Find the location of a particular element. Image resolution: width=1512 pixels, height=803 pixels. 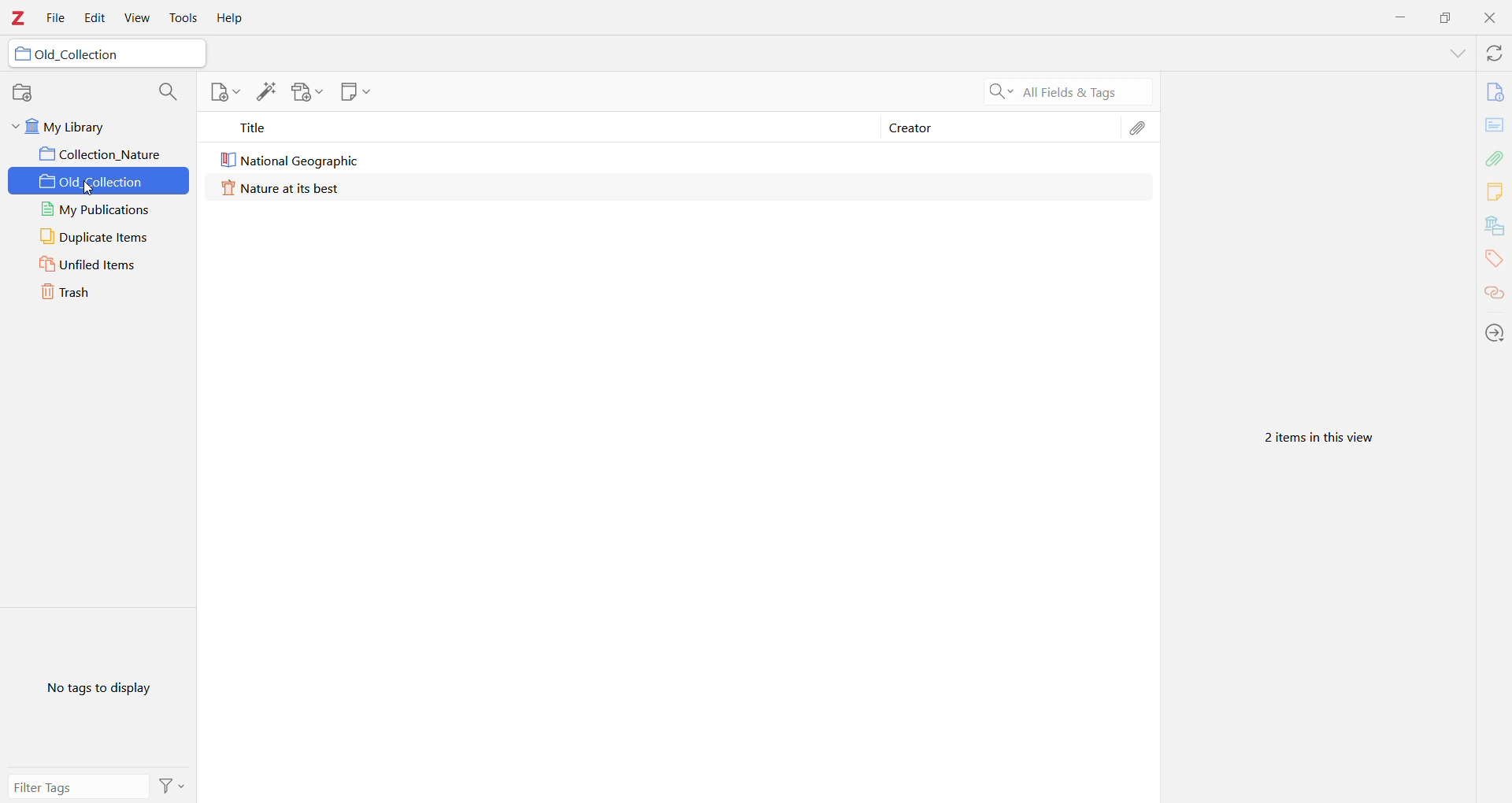

National Geographic is located at coordinates (290, 160).